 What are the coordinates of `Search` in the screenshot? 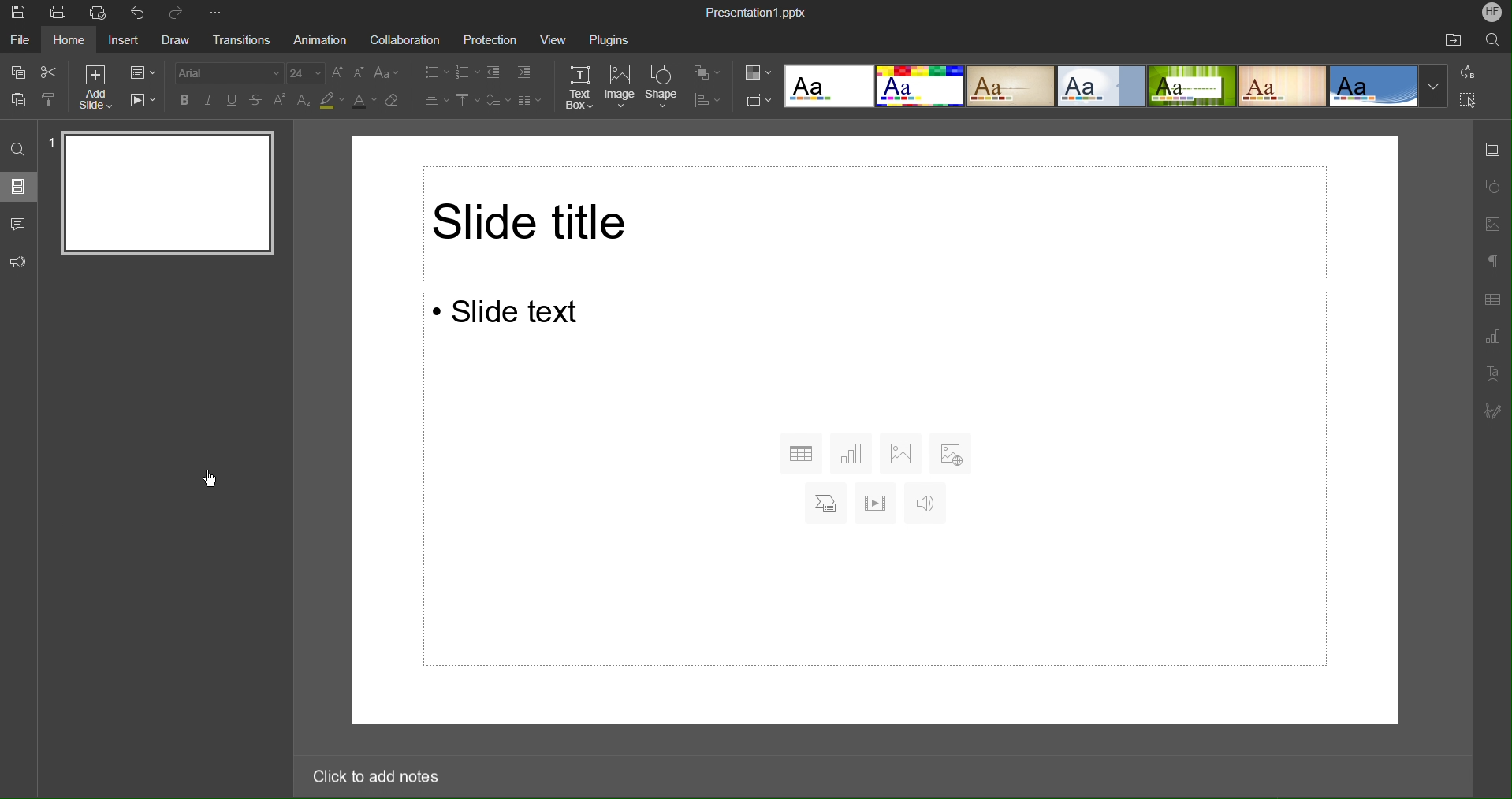 It's located at (1494, 41).